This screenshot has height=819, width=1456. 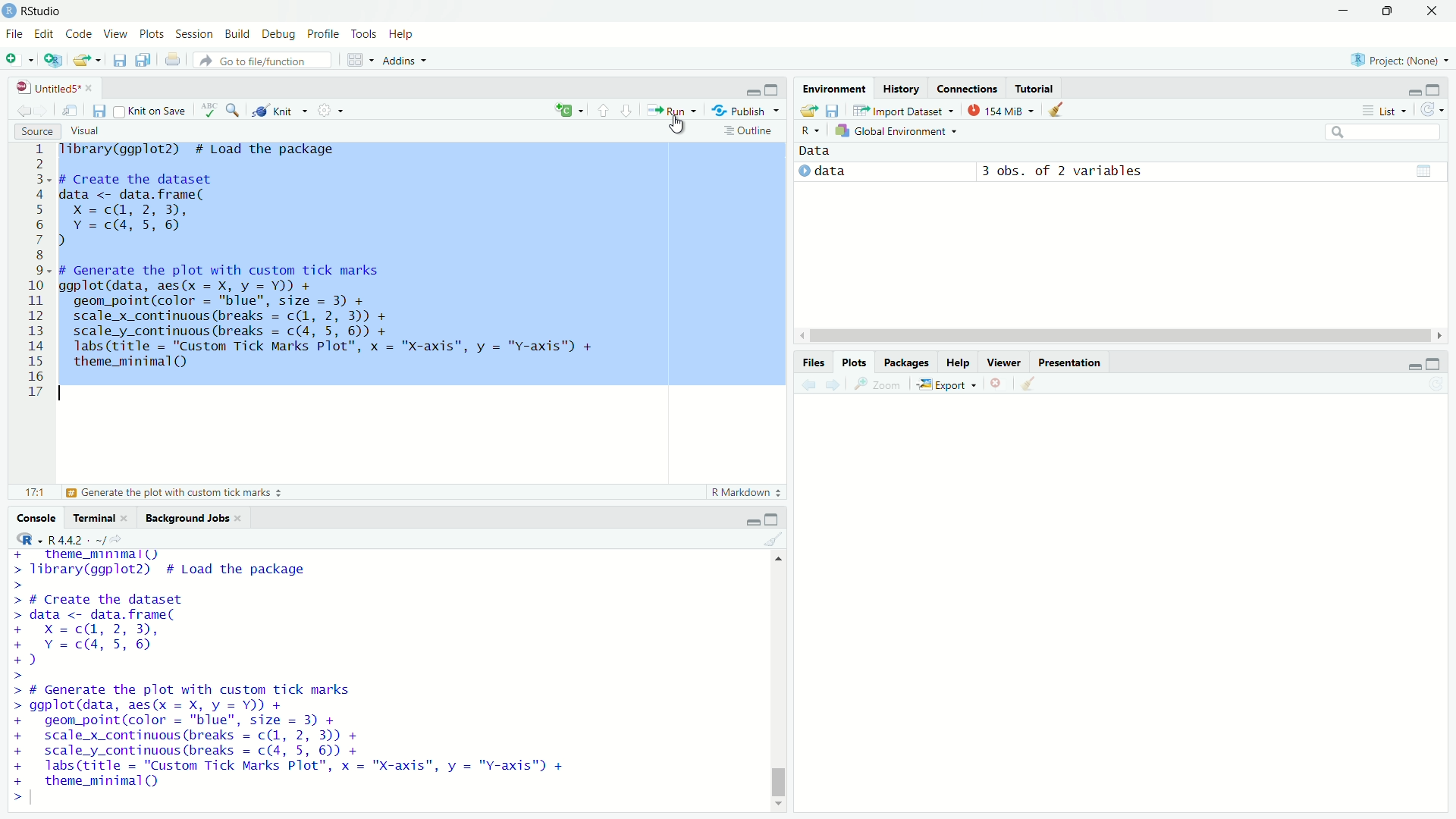 I want to click on import dataset, so click(x=905, y=109).